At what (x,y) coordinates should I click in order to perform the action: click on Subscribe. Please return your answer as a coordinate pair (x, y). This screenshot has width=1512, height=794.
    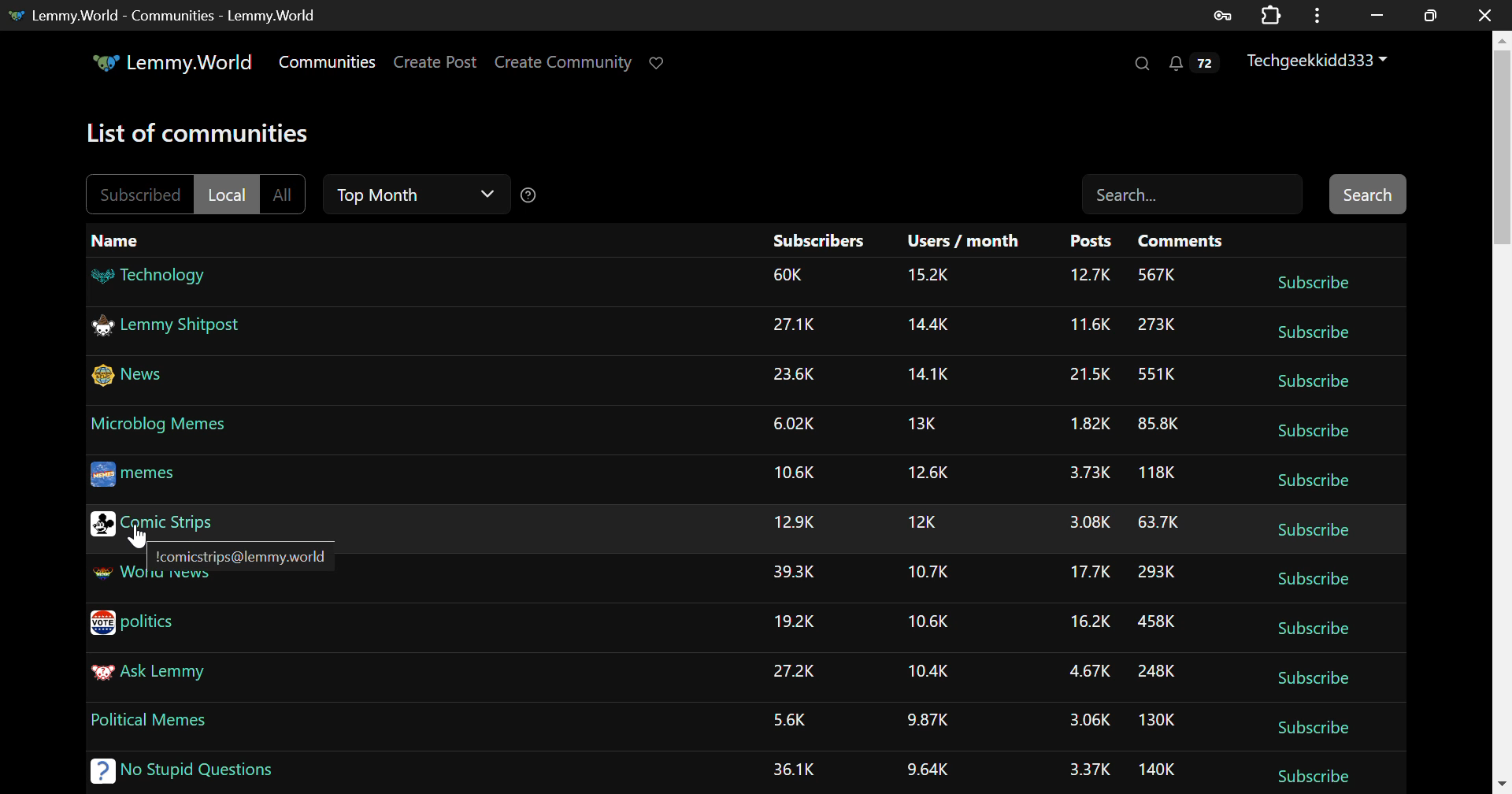
    Looking at the image, I should click on (1312, 384).